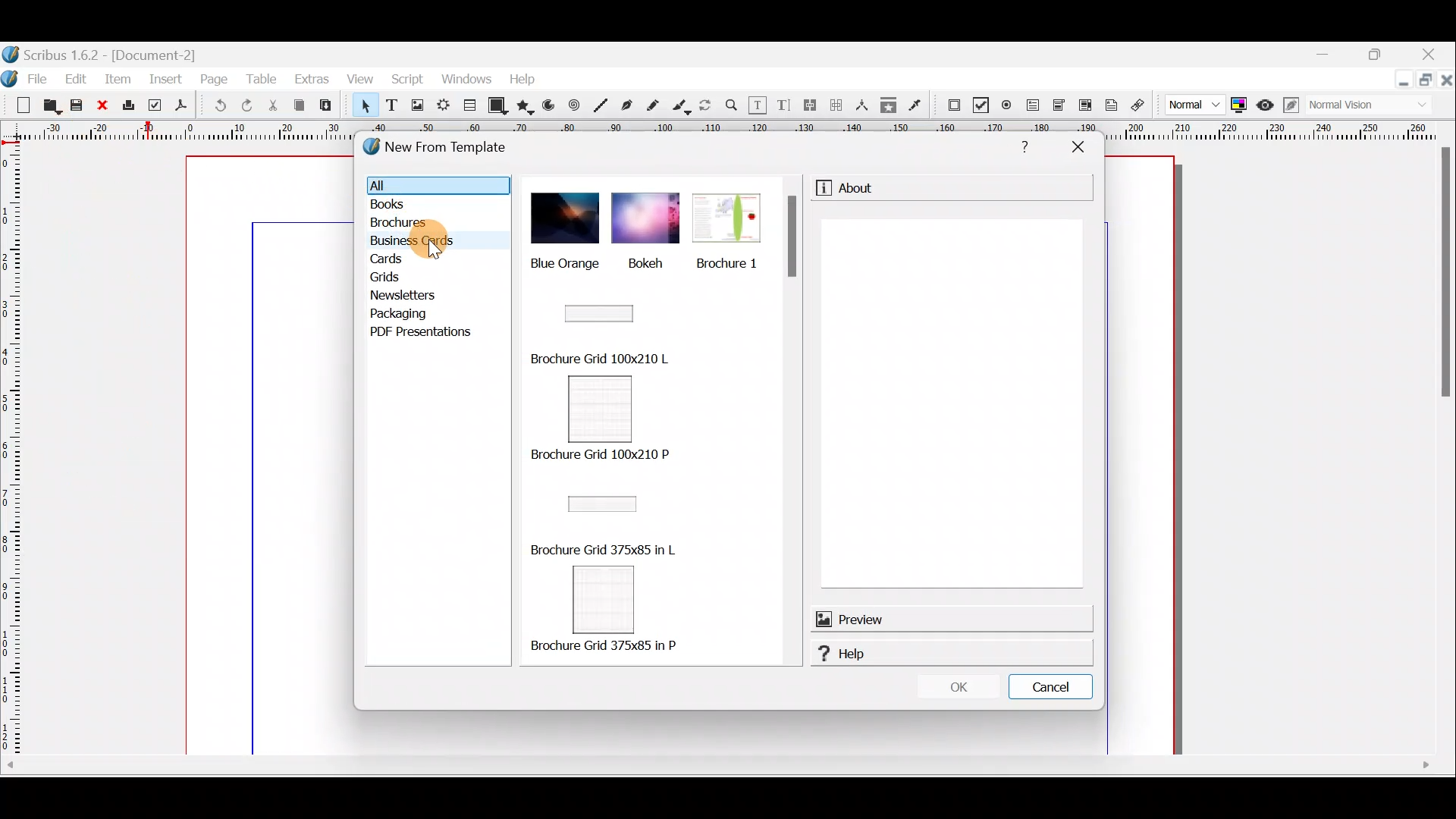  I want to click on Spiral, so click(574, 105).